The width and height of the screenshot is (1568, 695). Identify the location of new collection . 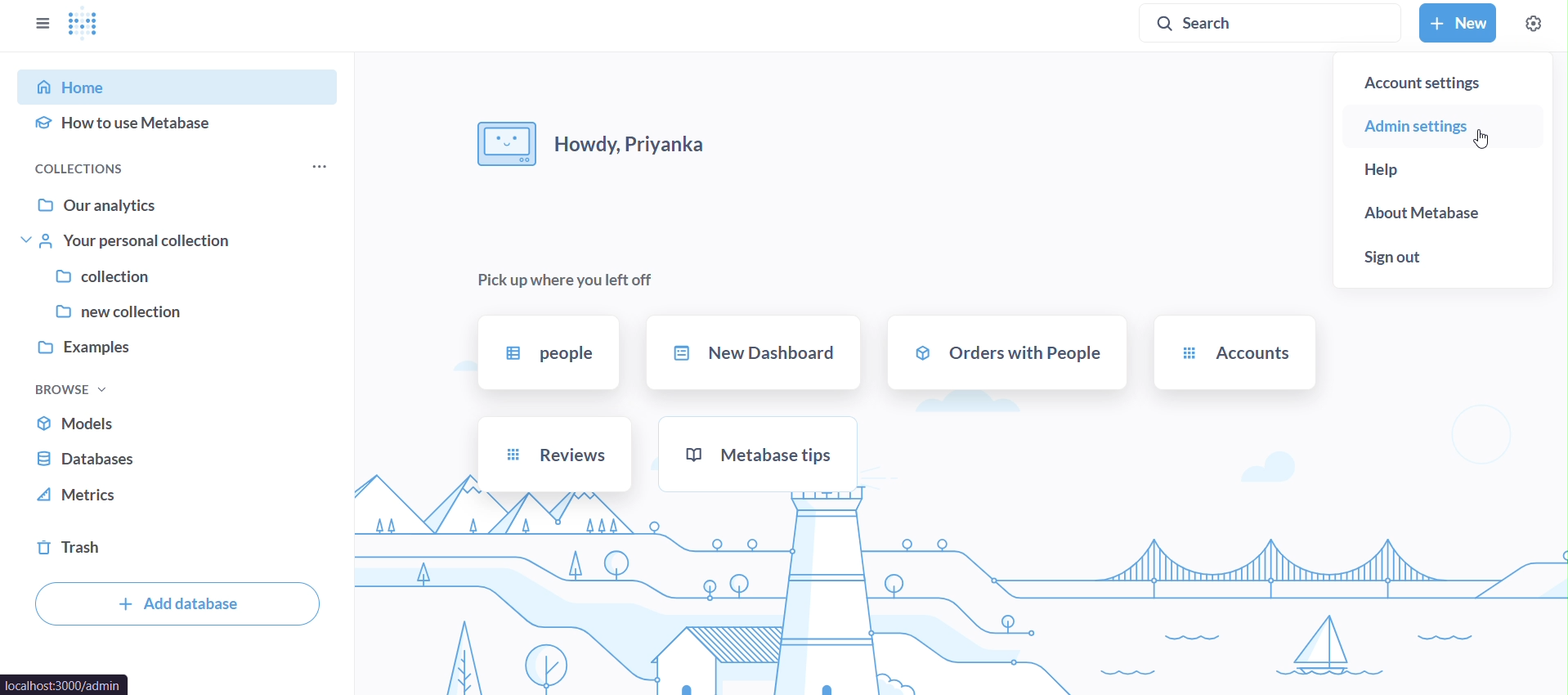
(176, 314).